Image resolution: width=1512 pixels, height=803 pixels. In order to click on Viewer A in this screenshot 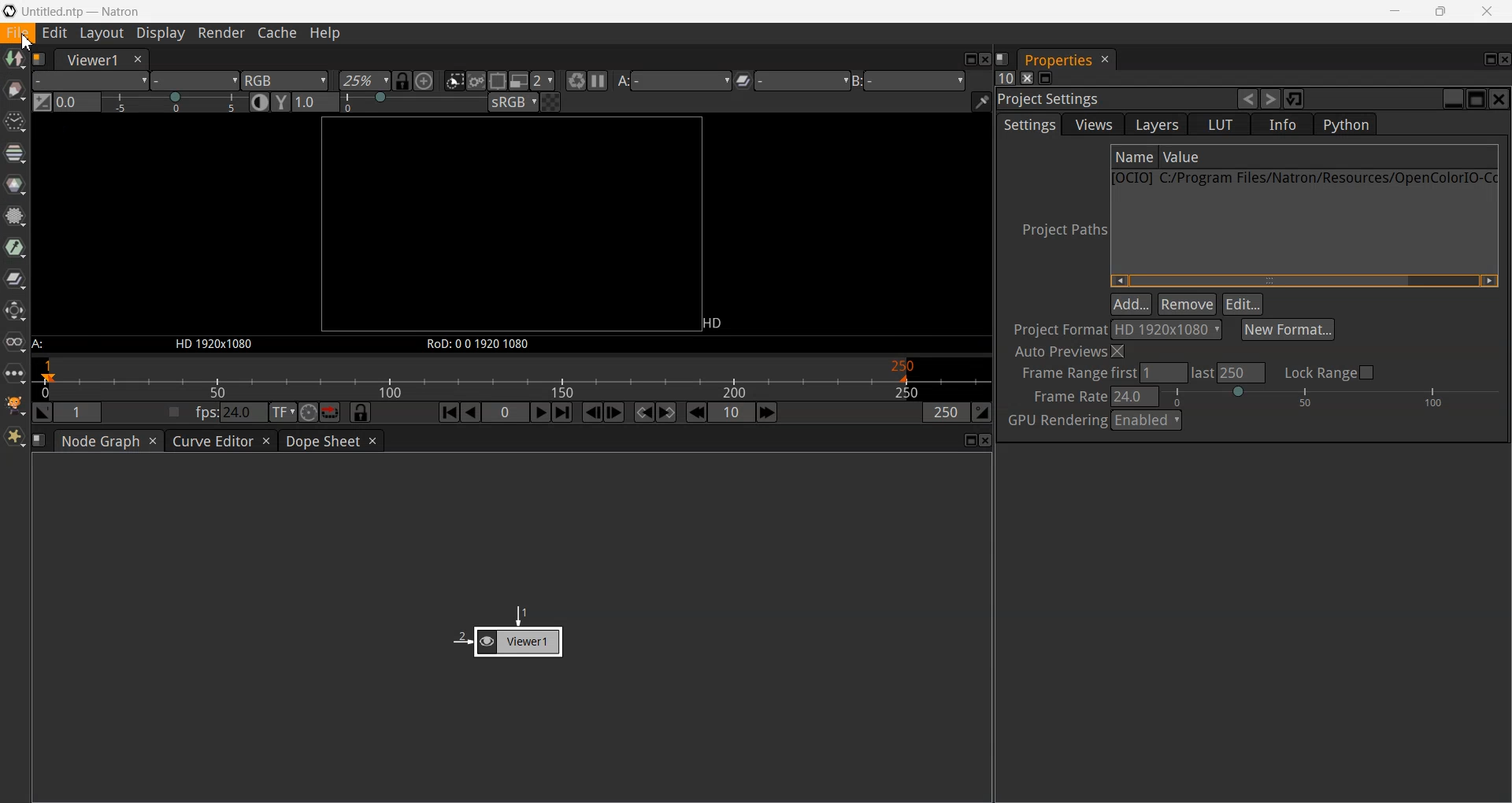, I will do `click(677, 80)`.